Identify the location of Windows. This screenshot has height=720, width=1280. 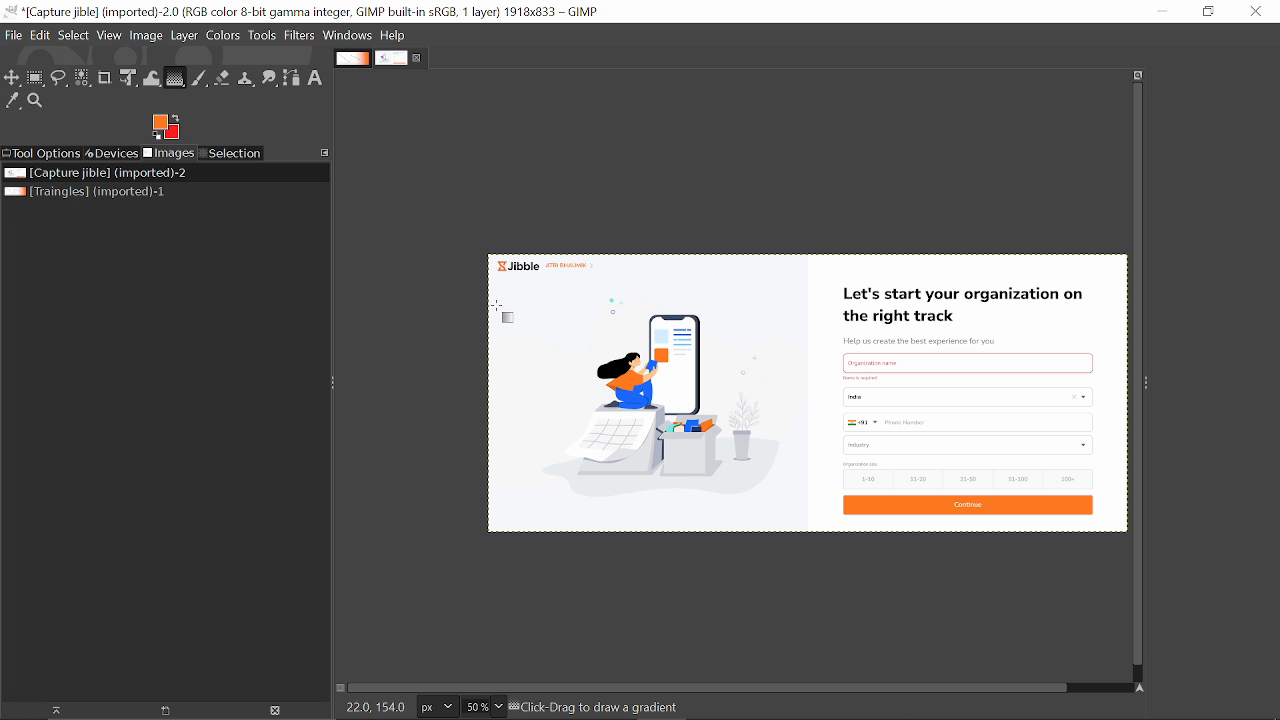
(348, 36).